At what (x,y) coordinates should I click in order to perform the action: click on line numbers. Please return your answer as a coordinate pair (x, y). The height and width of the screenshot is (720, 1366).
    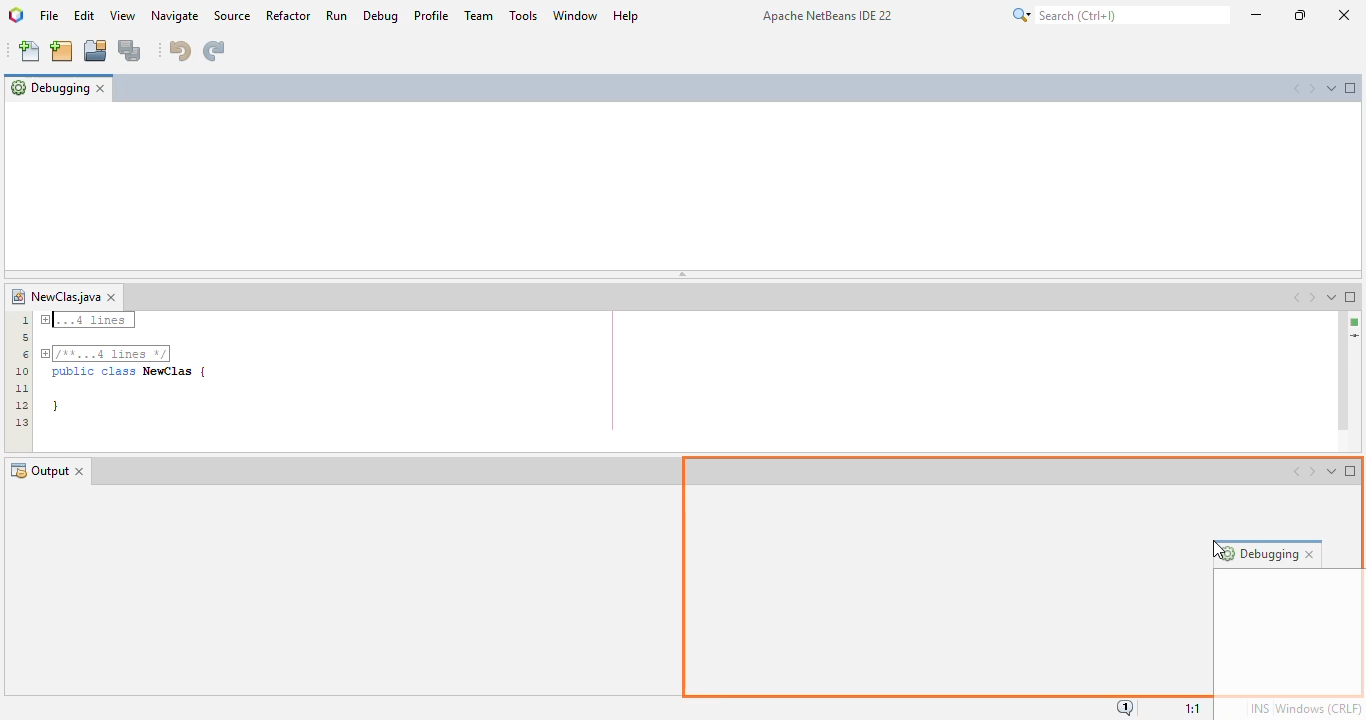
    Looking at the image, I should click on (21, 370).